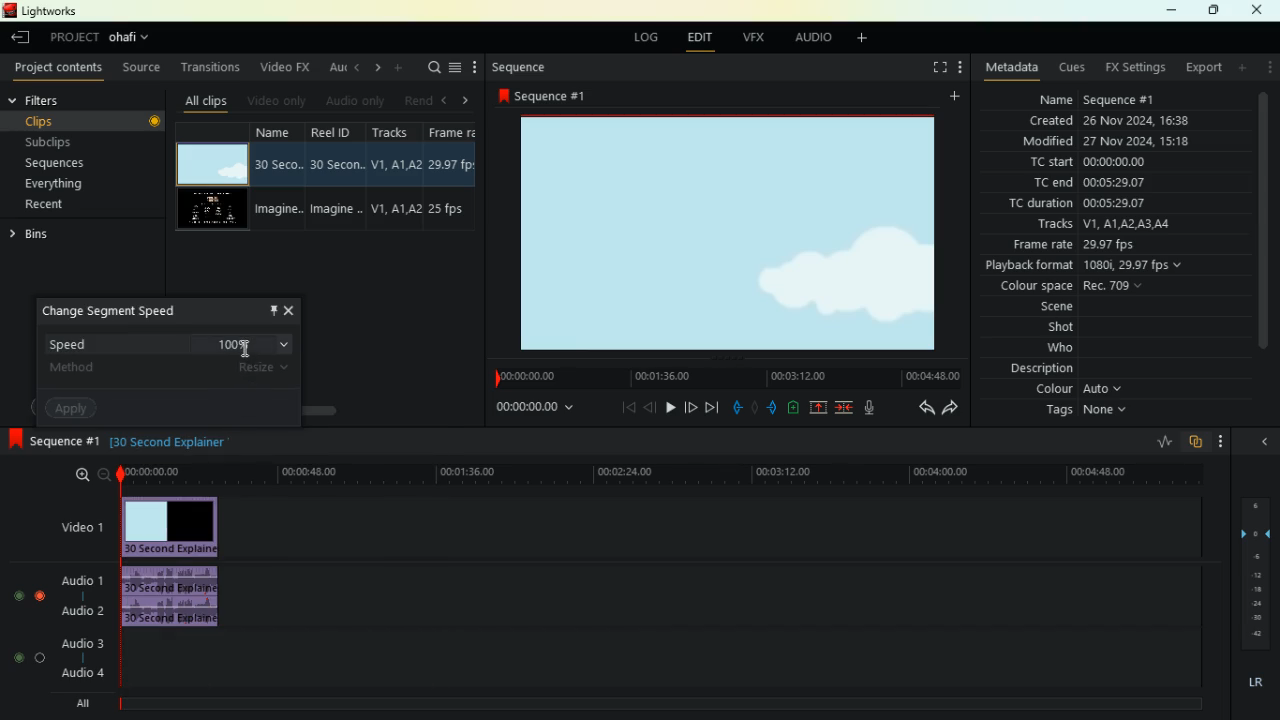  Describe the element at coordinates (734, 408) in the screenshot. I see `pull` at that location.